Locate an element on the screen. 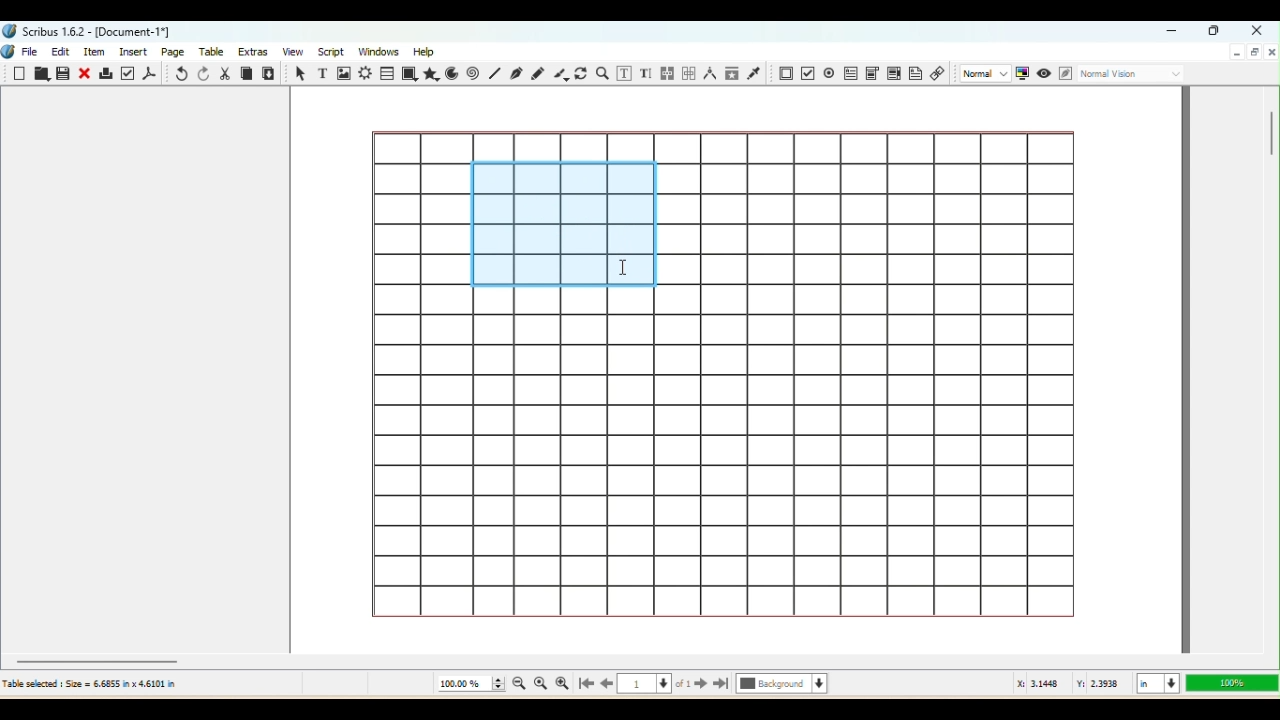 This screenshot has width=1280, height=720. Arc is located at coordinates (454, 73).